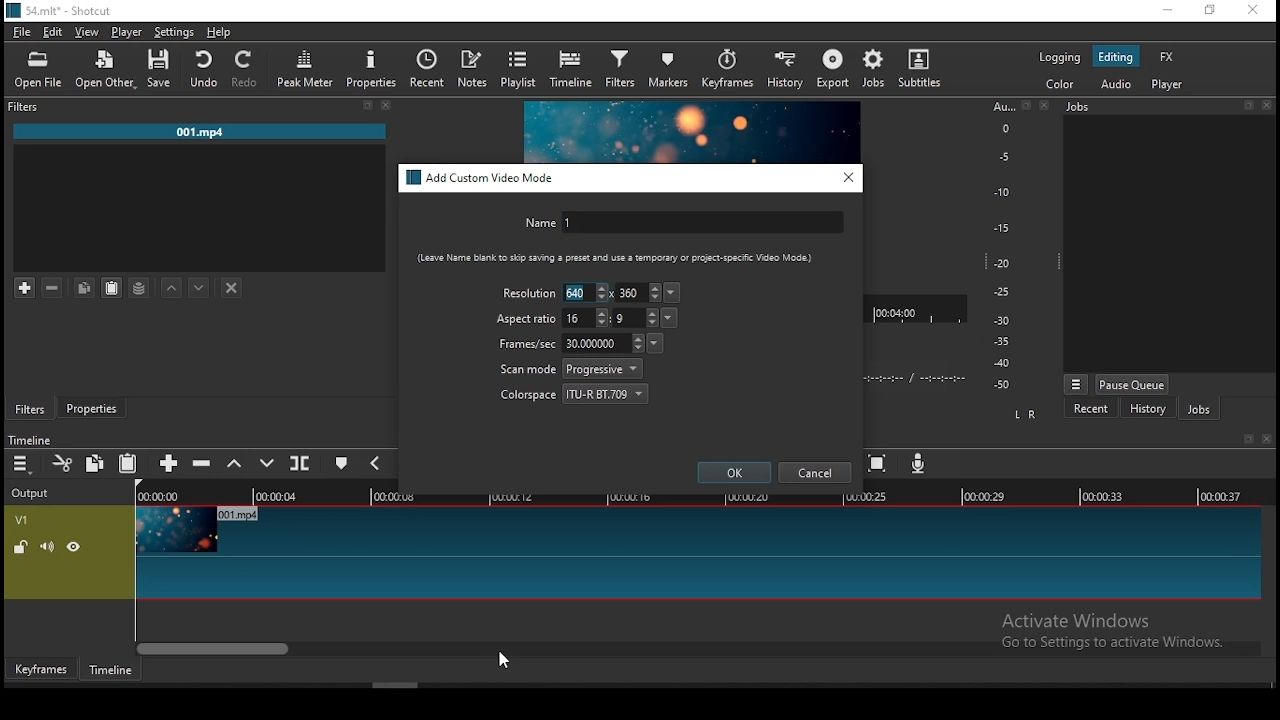 This screenshot has height=720, width=1280. What do you see at coordinates (1199, 410) in the screenshot?
I see `jobs` at bounding box center [1199, 410].